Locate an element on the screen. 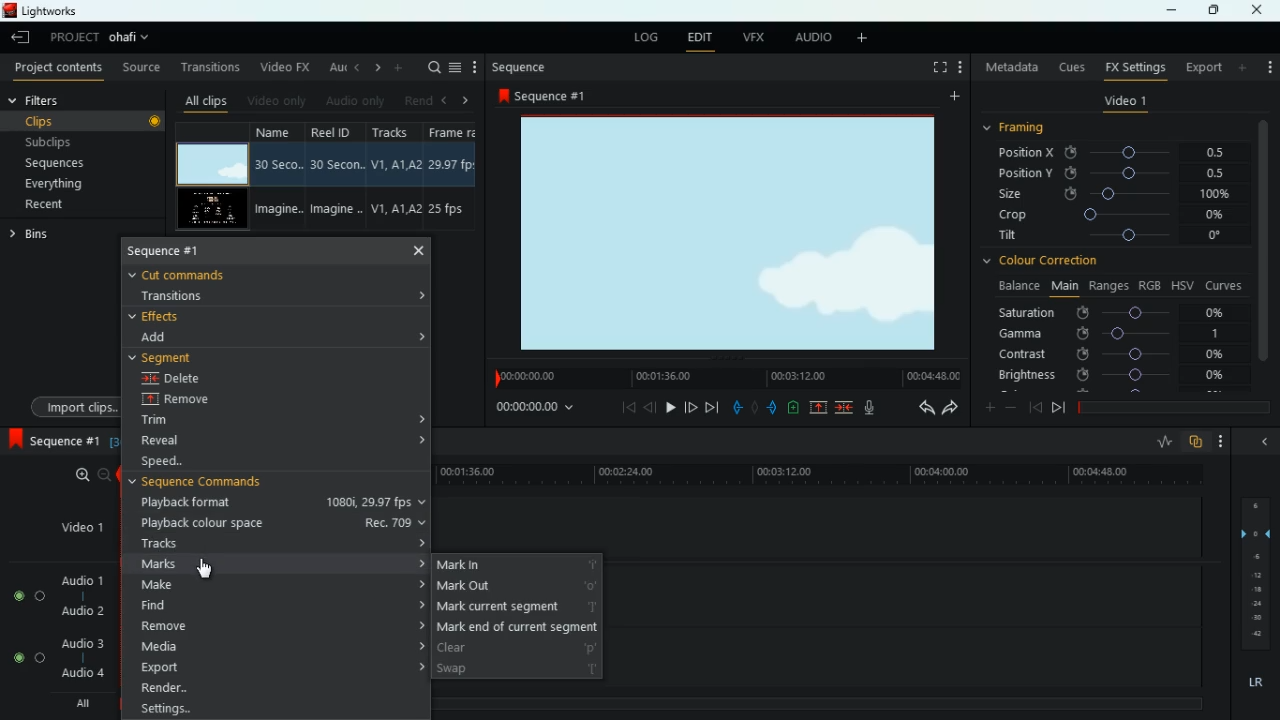  timeline is located at coordinates (724, 376).